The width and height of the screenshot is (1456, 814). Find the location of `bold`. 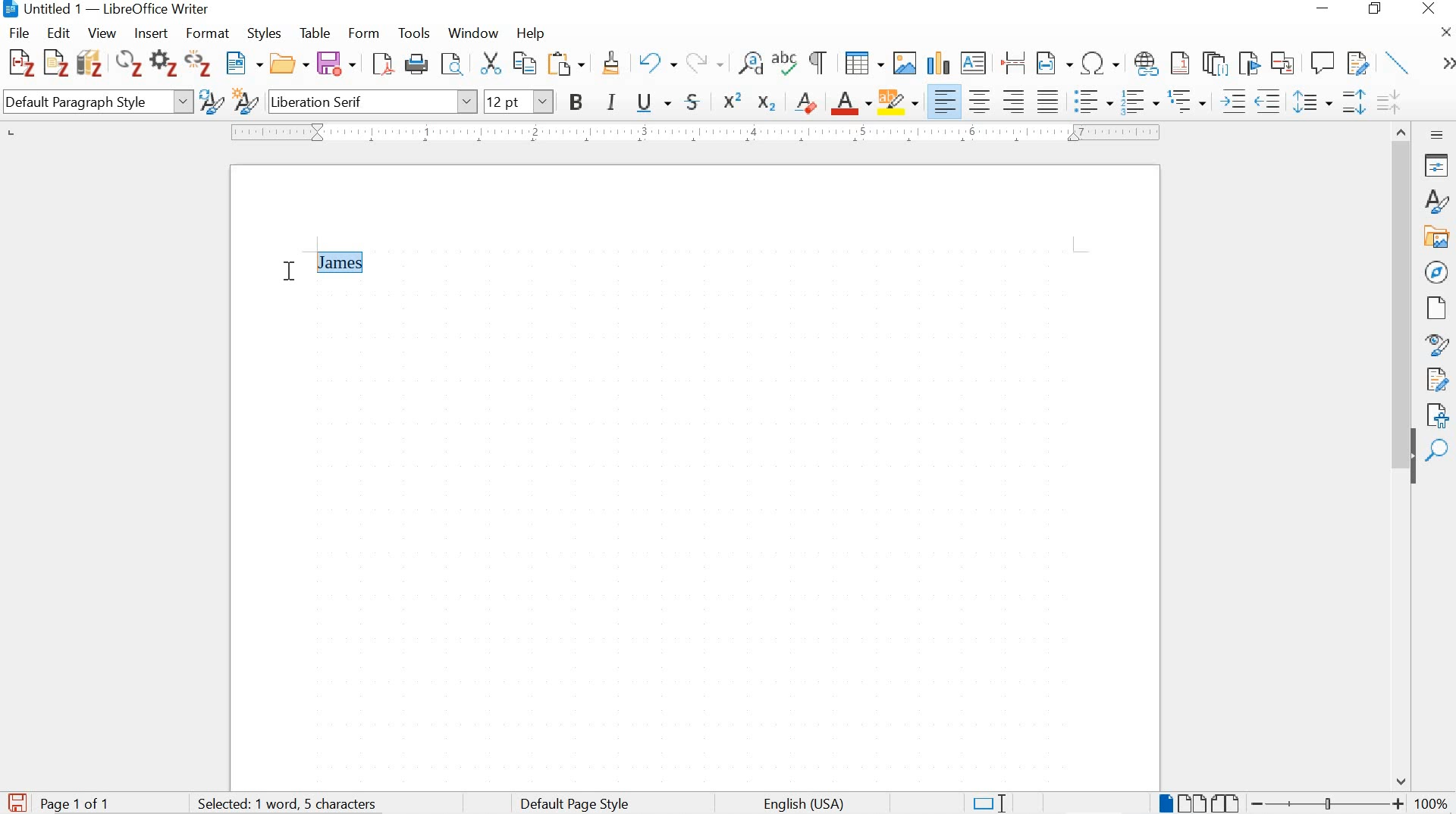

bold is located at coordinates (578, 104).